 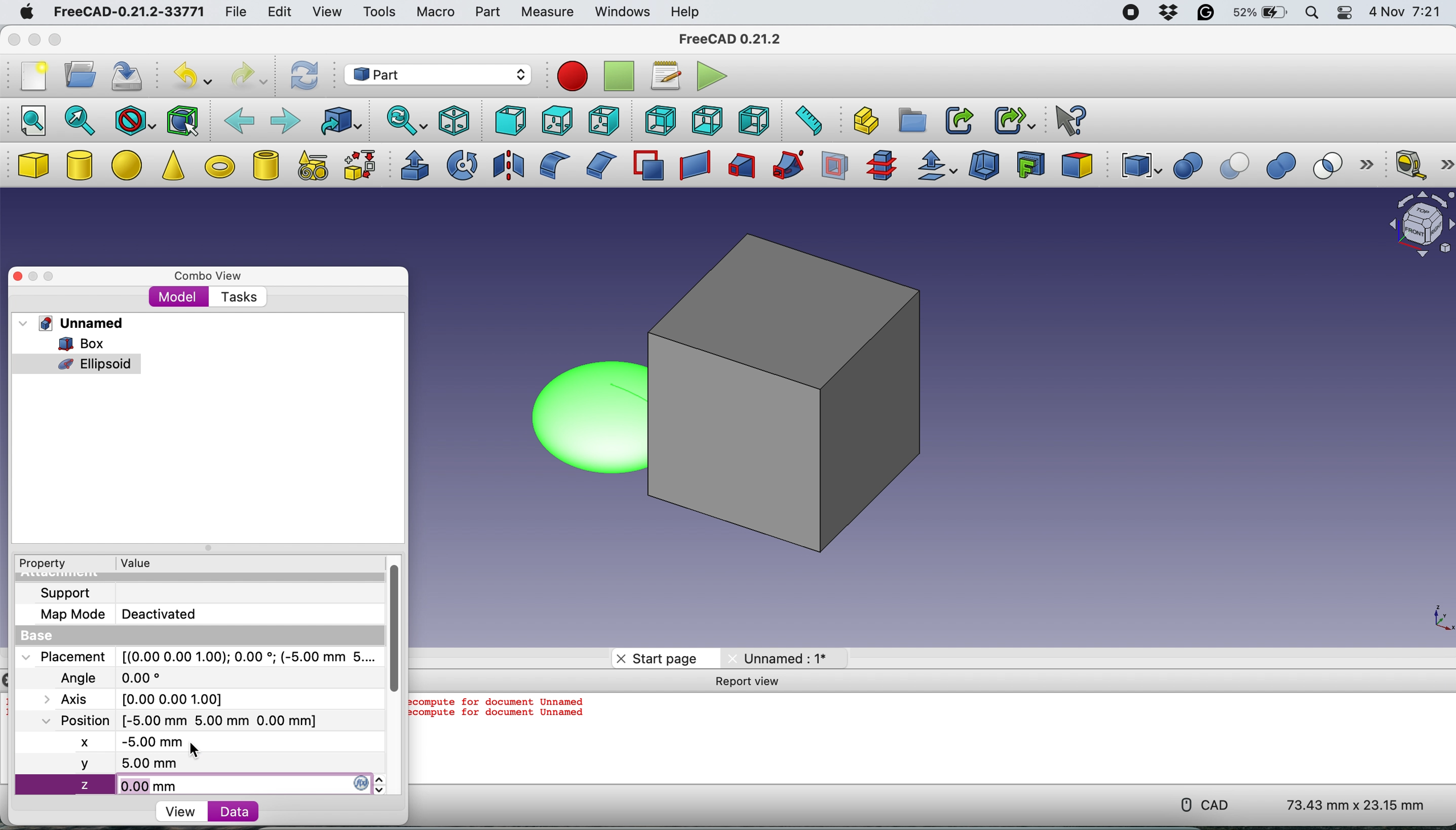 What do you see at coordinates (35, 276) in the screenshot?
I see `minimise` at bounding box center [35, 276].